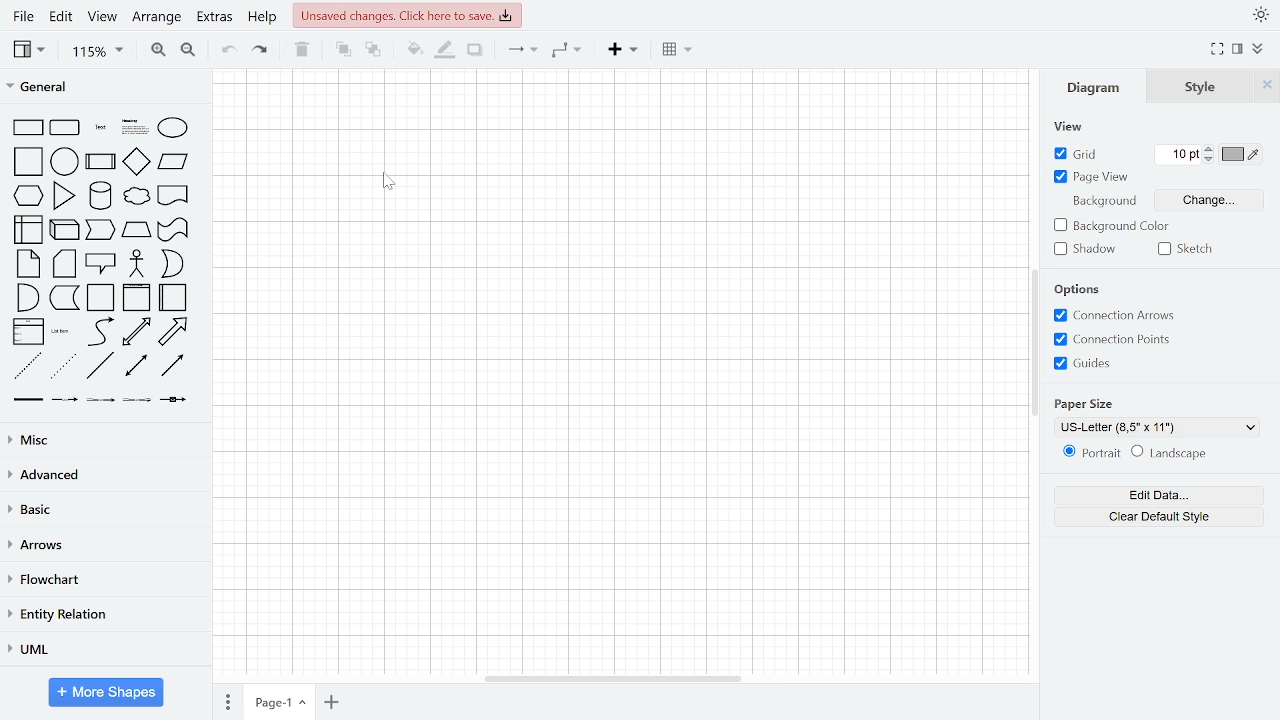 The height and width of the screenshot is (720, 1280). I want to click on document, so click(174, 195).